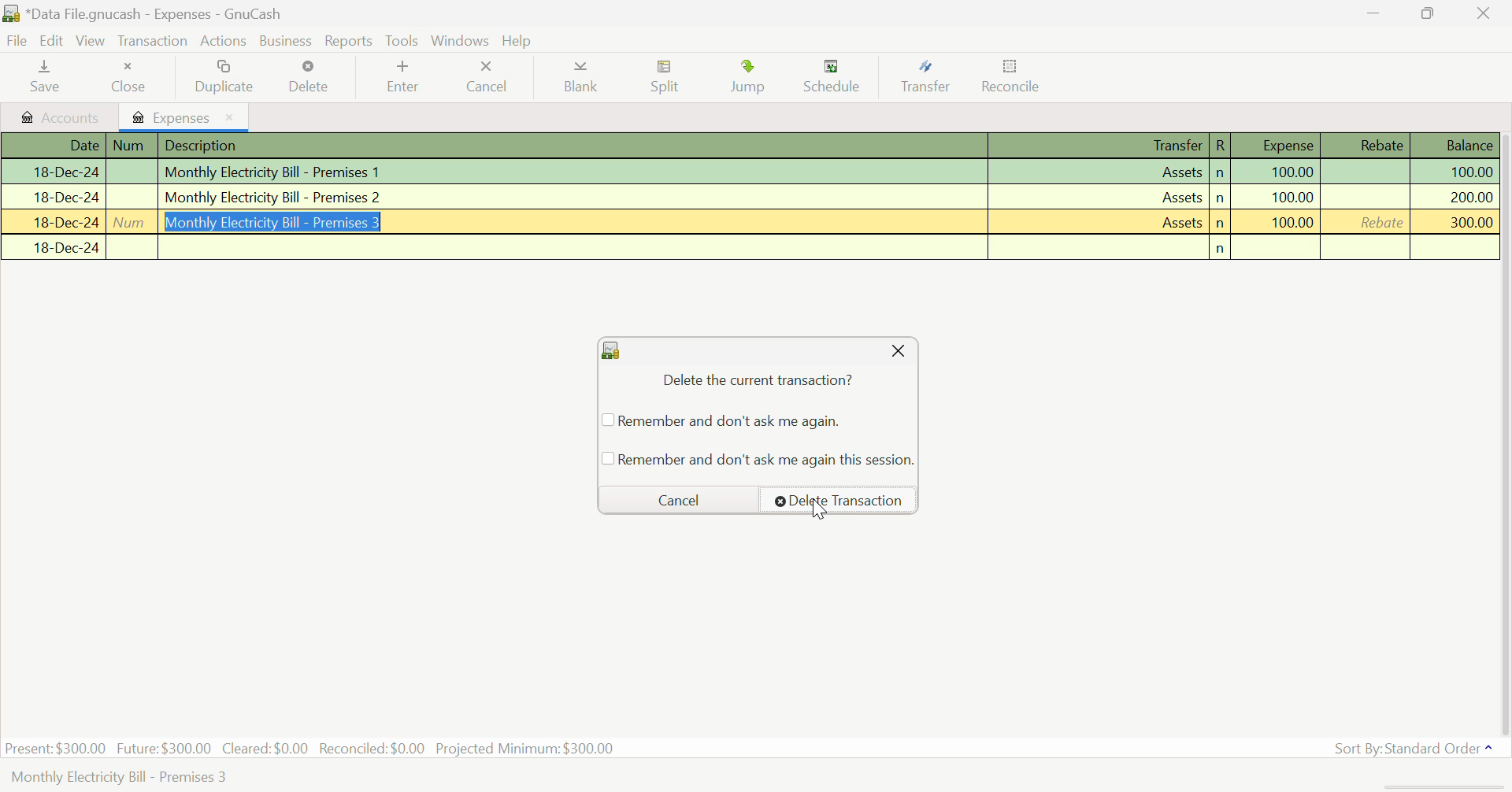 The width and height of the screenshot is (1512, 792). Describe the element at coordinates (580, 77) in the screenshot. I see `Blank` at that location.